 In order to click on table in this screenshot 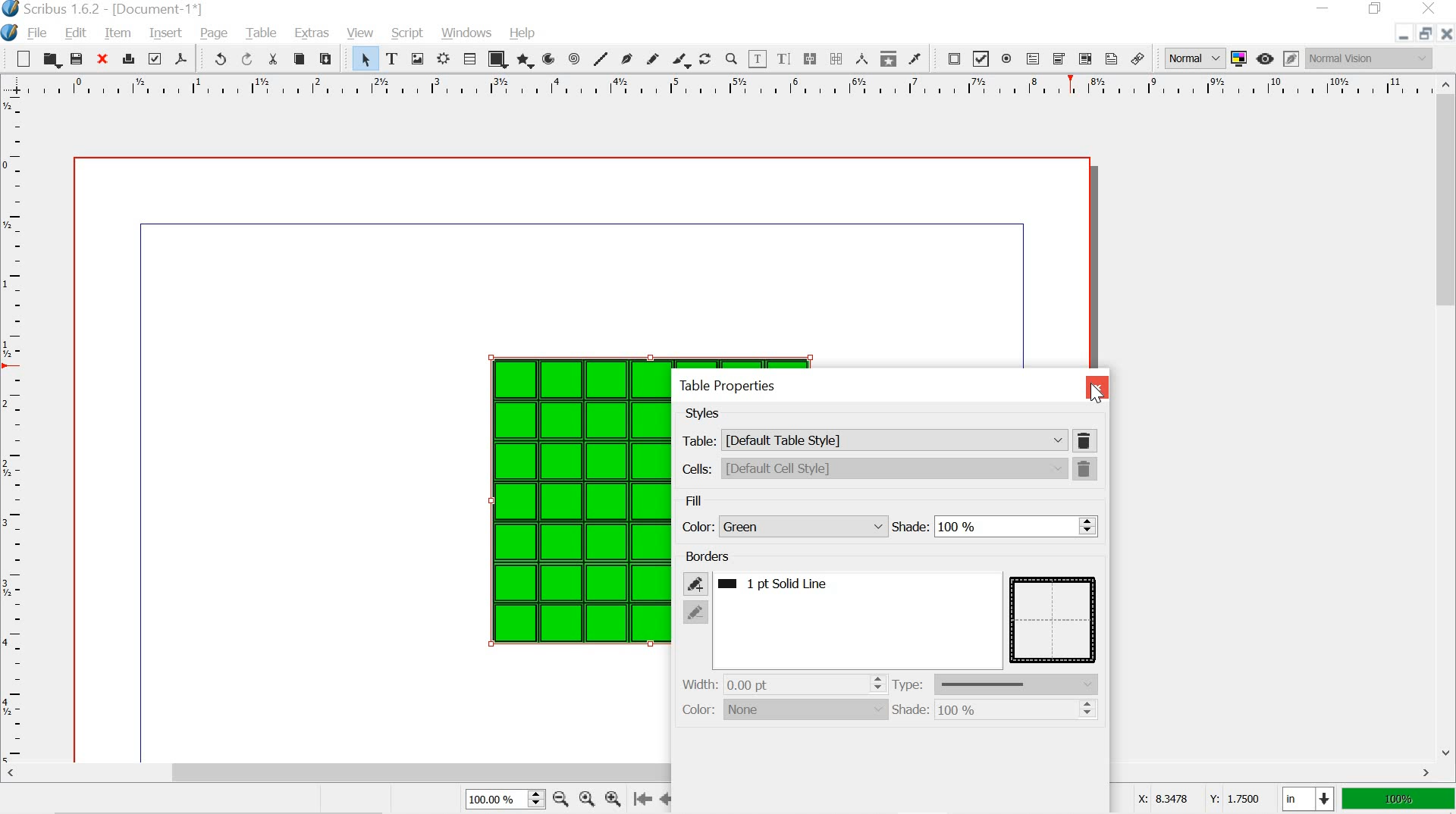, I will do `click(472, 58)`.